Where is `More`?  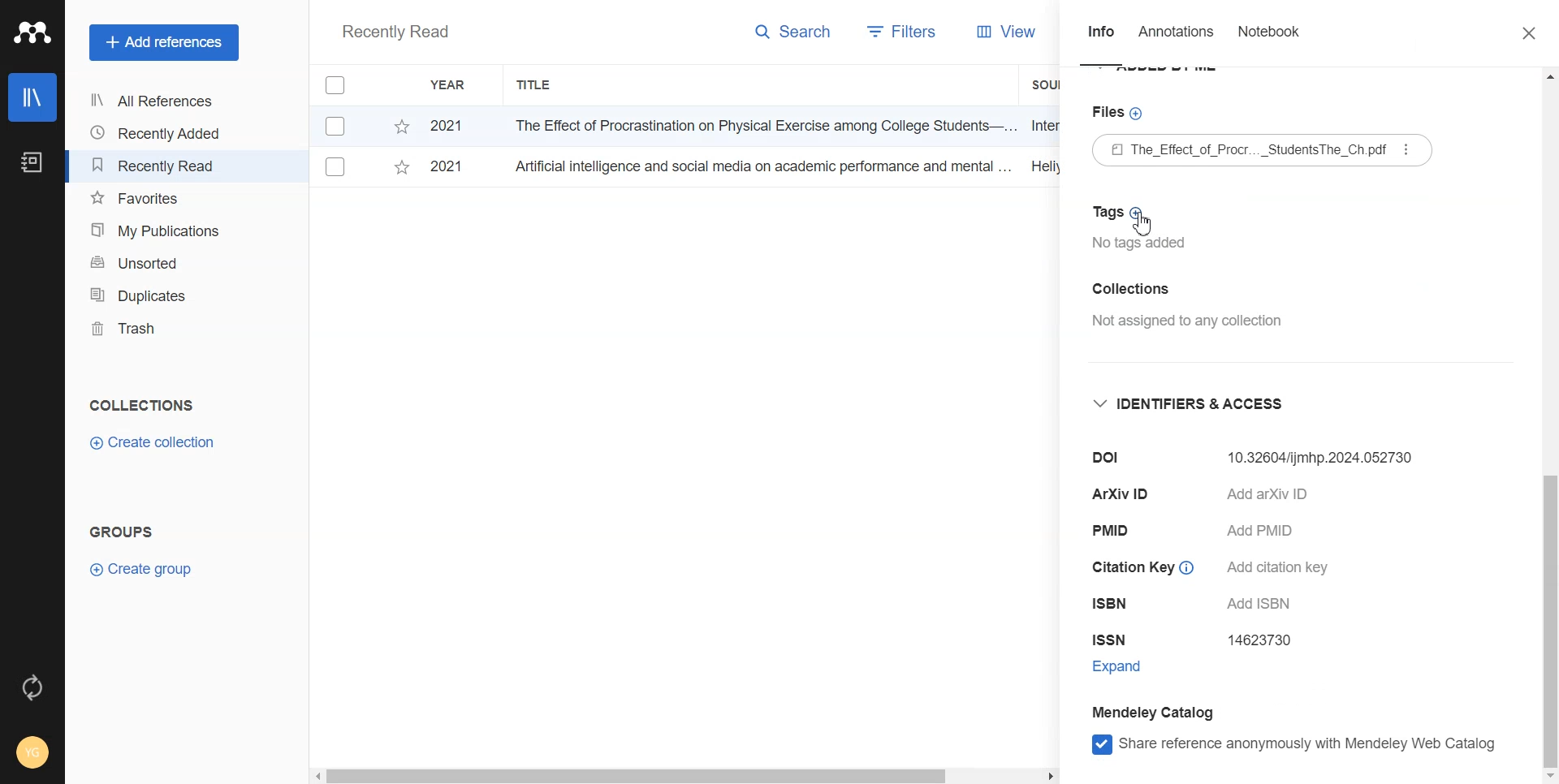
More is located at coordinates (1408, 149).